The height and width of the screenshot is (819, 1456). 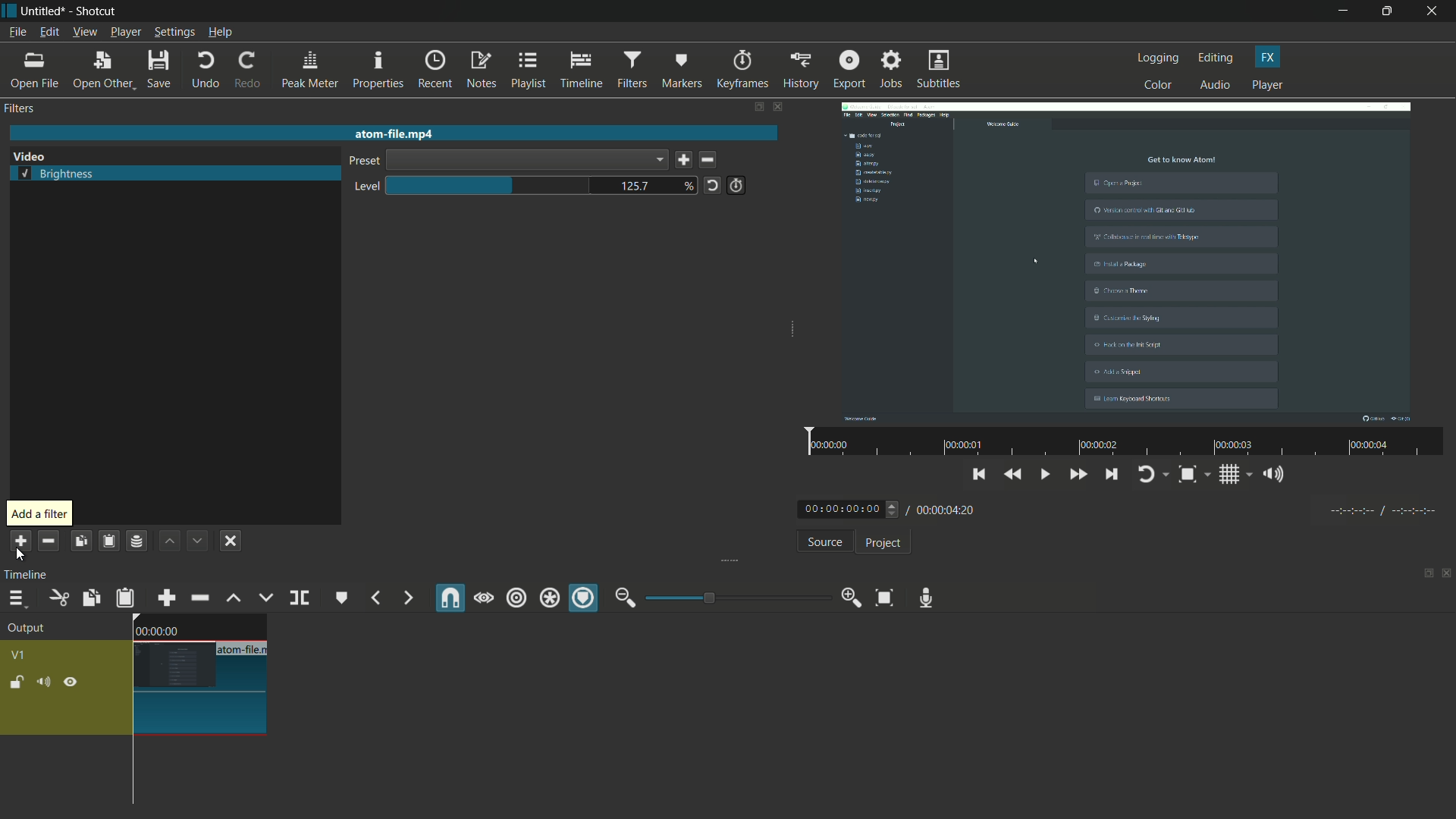 I want to click on editing, so click(x=1216, y=58).